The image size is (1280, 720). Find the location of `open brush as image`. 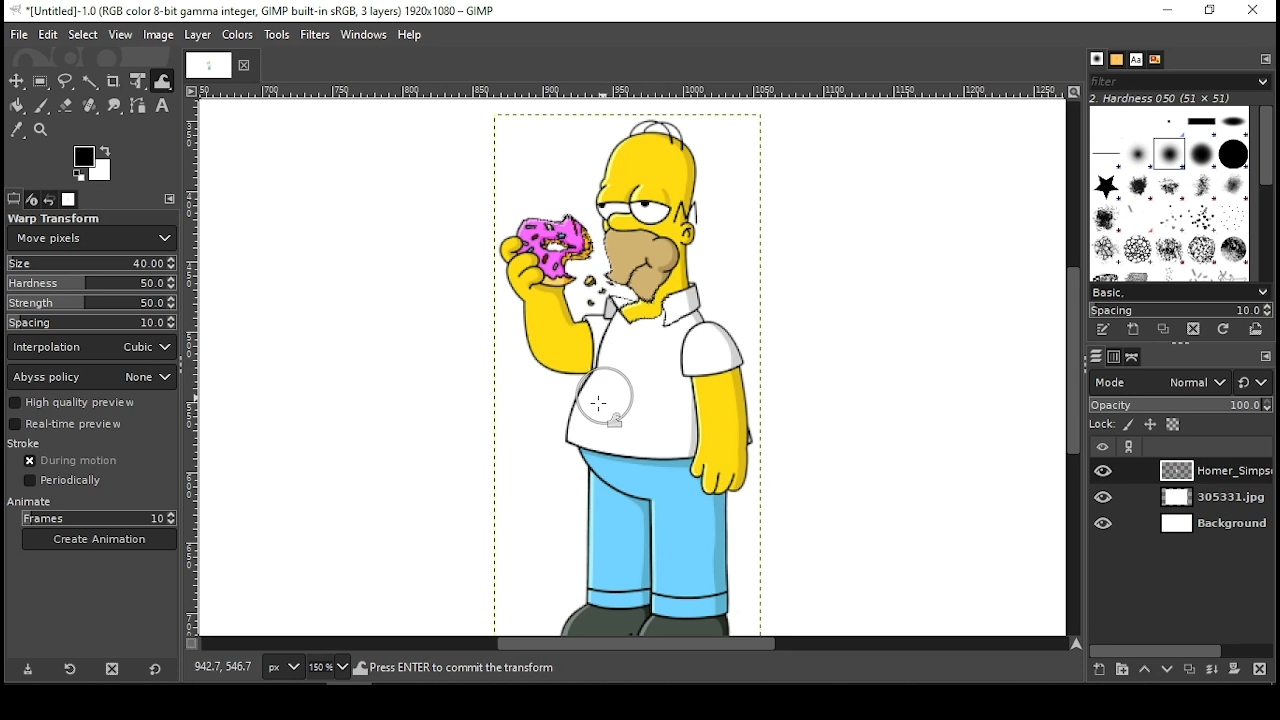

open brush as image is located at coordinates (1259, 329).